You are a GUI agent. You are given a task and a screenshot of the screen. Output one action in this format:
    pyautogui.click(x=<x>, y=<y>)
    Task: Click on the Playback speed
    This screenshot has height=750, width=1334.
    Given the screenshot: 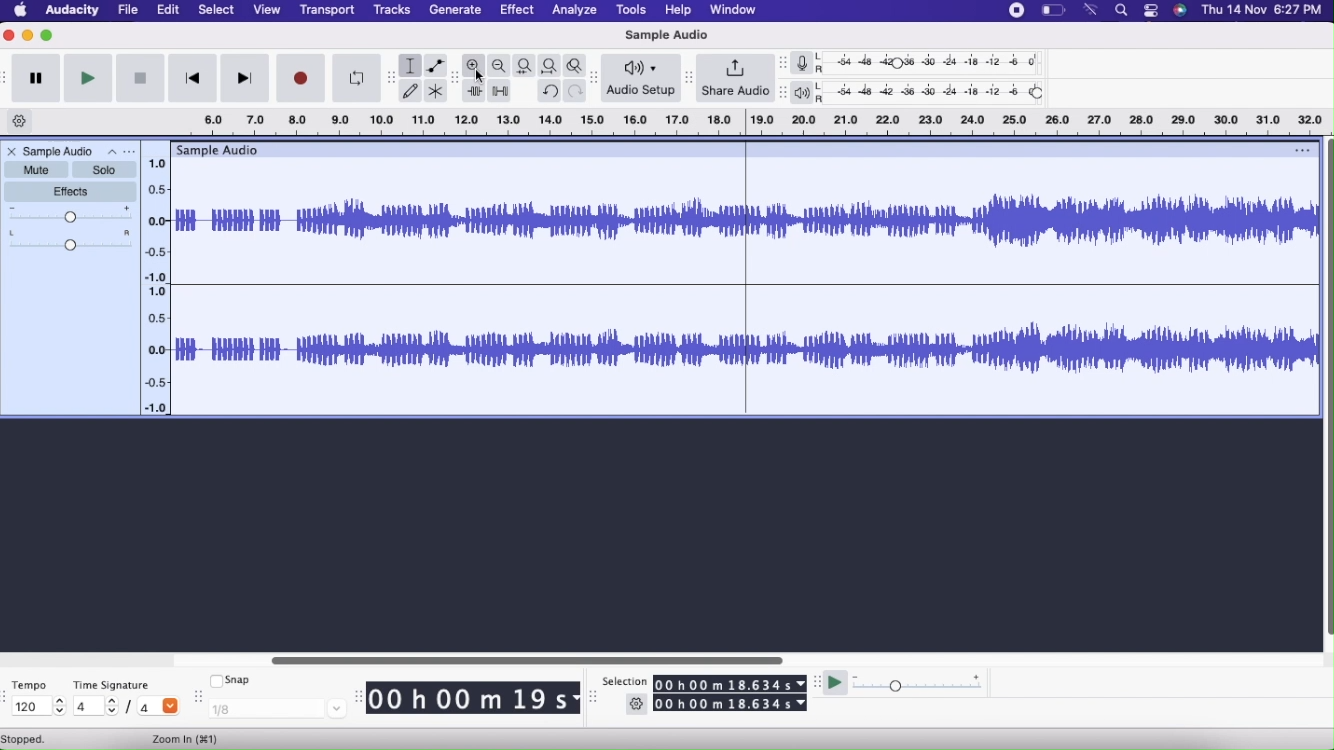 What is the action you would take?
    pyautogui.click(x=924, y=684)
    